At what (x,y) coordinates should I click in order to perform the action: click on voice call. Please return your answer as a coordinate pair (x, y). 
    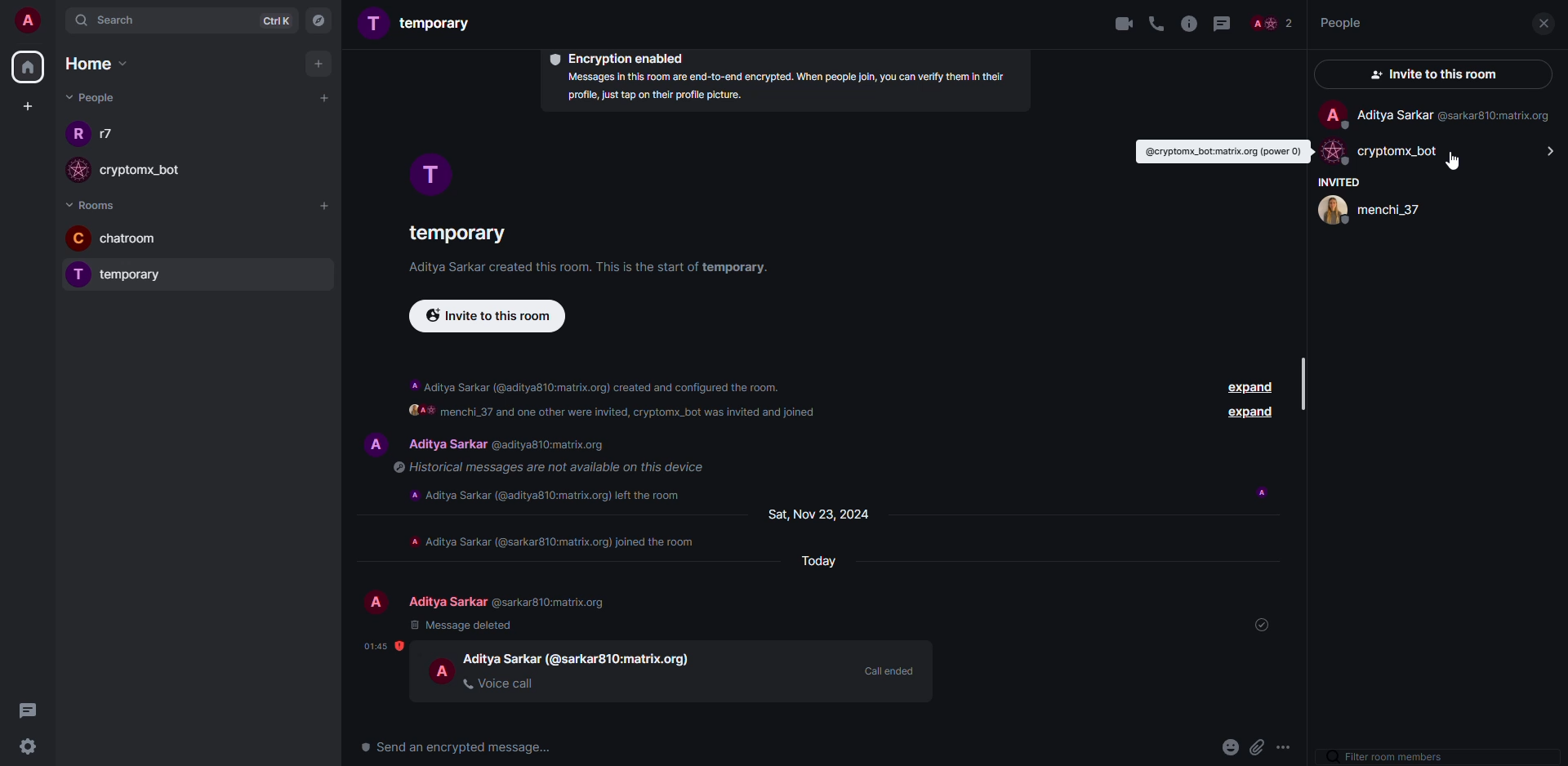
    Looking at the image, I should click on (1159, 24).